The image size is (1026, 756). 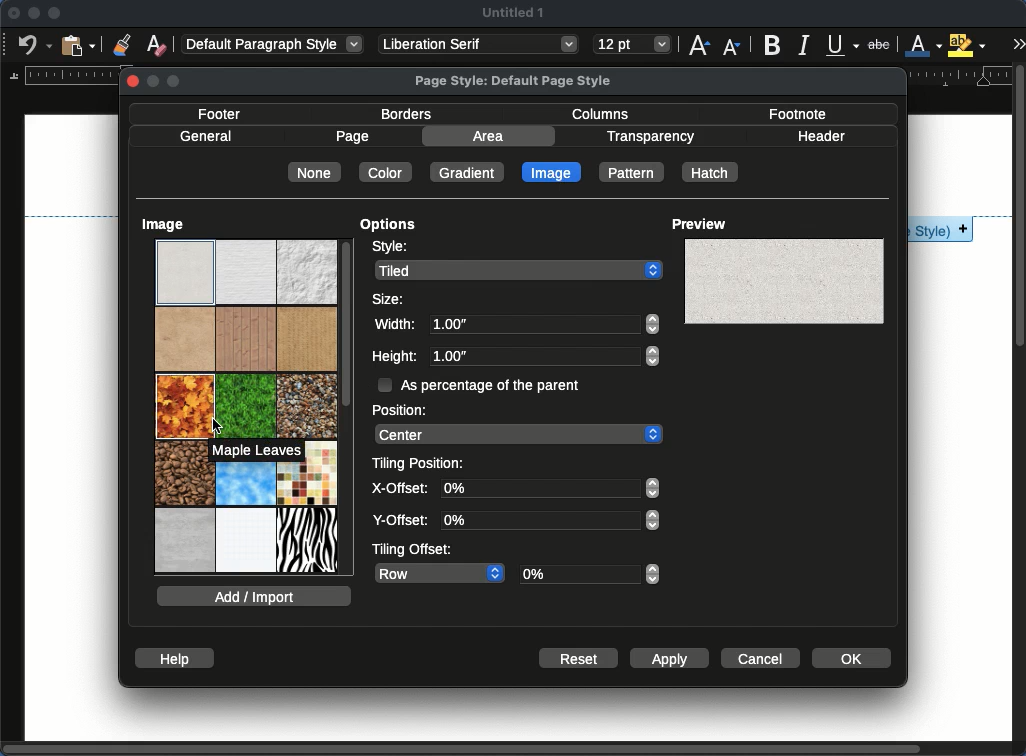 What do you see at coordinates (351, 136) in the screenshot?
I see `page` at bounding box center [351, 136].